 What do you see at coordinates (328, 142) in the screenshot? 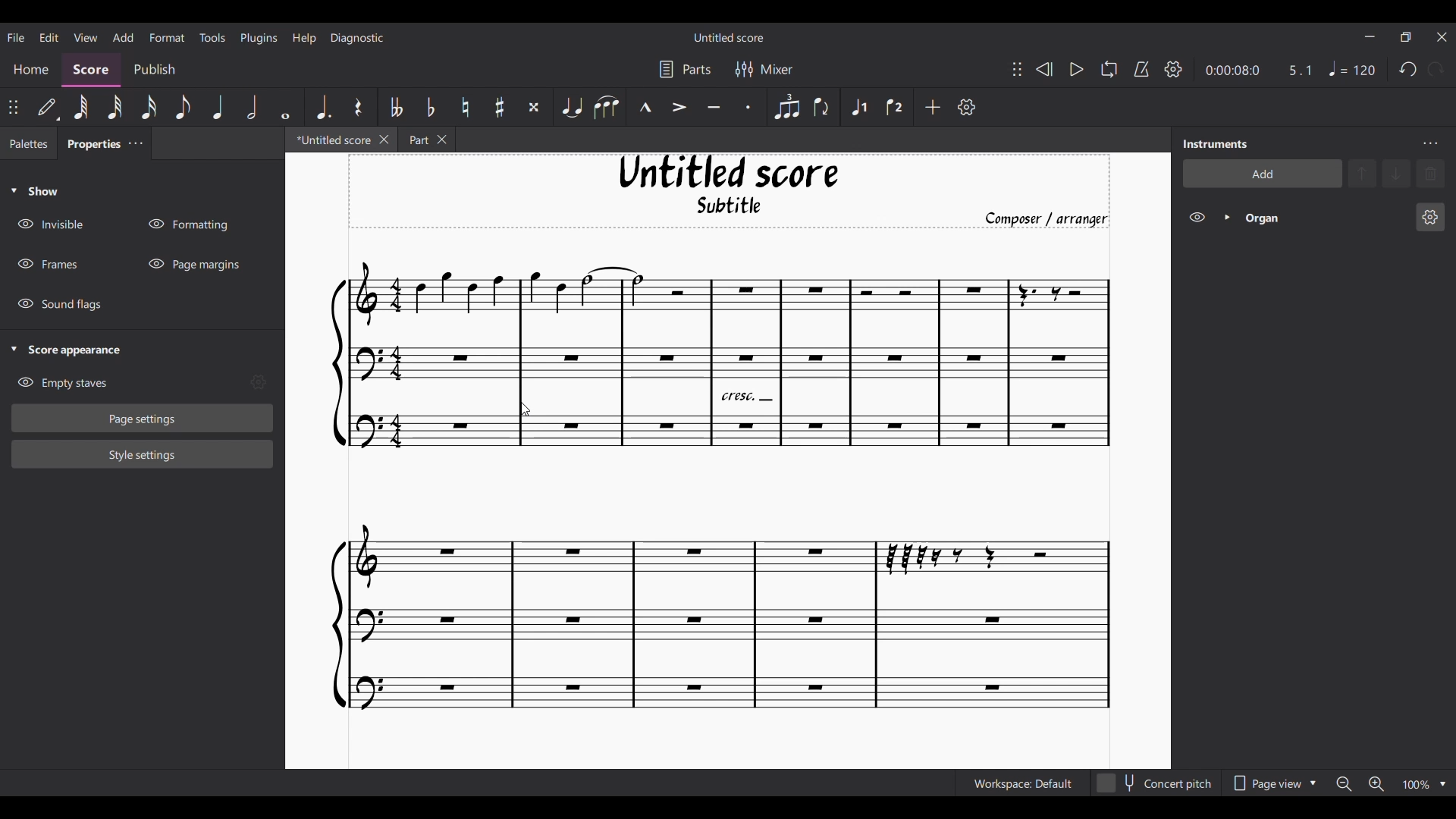
I see `Current tab highlighted` at bounding box center [328, 142].